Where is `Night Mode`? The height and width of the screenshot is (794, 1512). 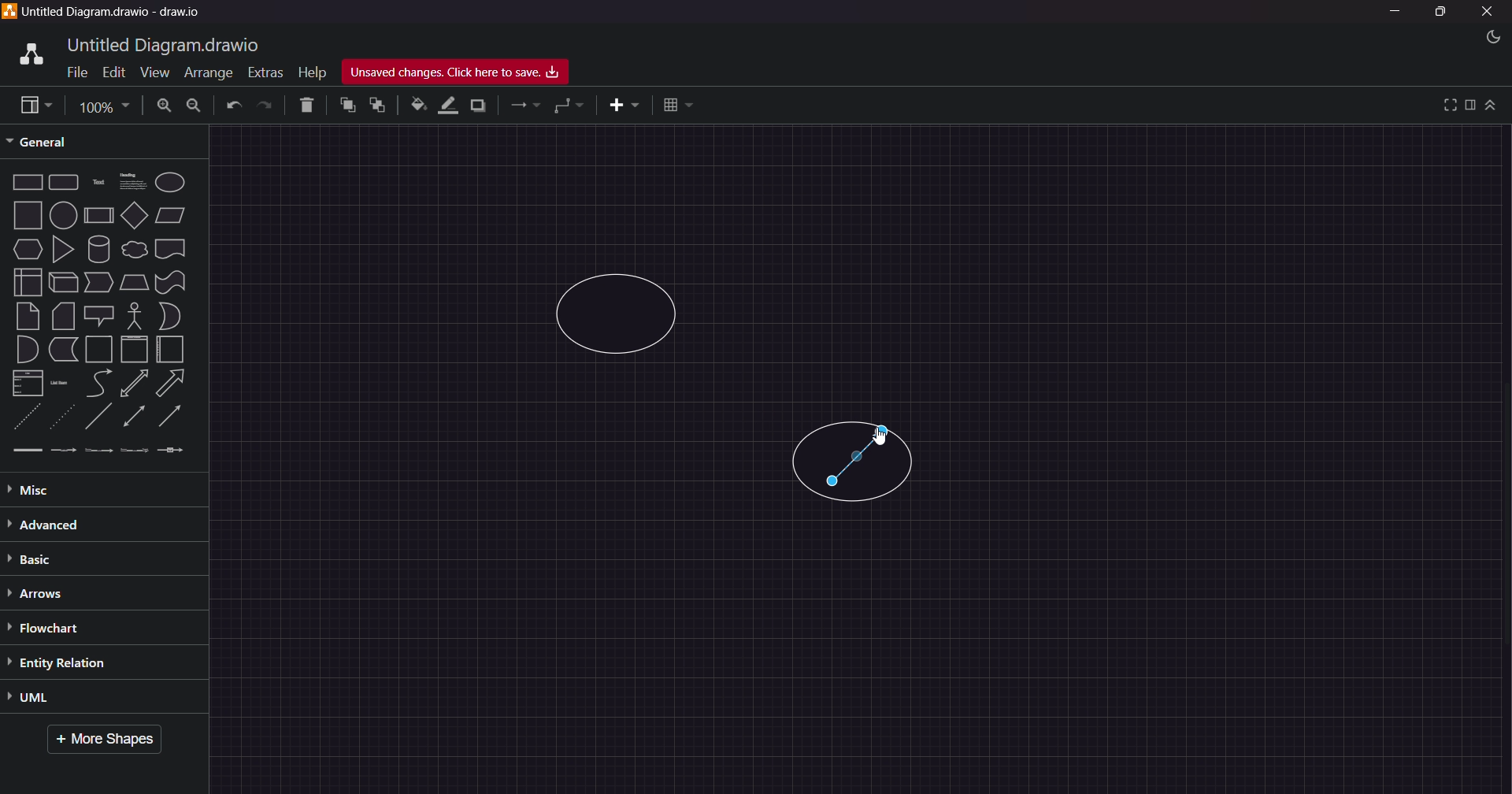
Night Mode is located at coordinates (1484, 37).